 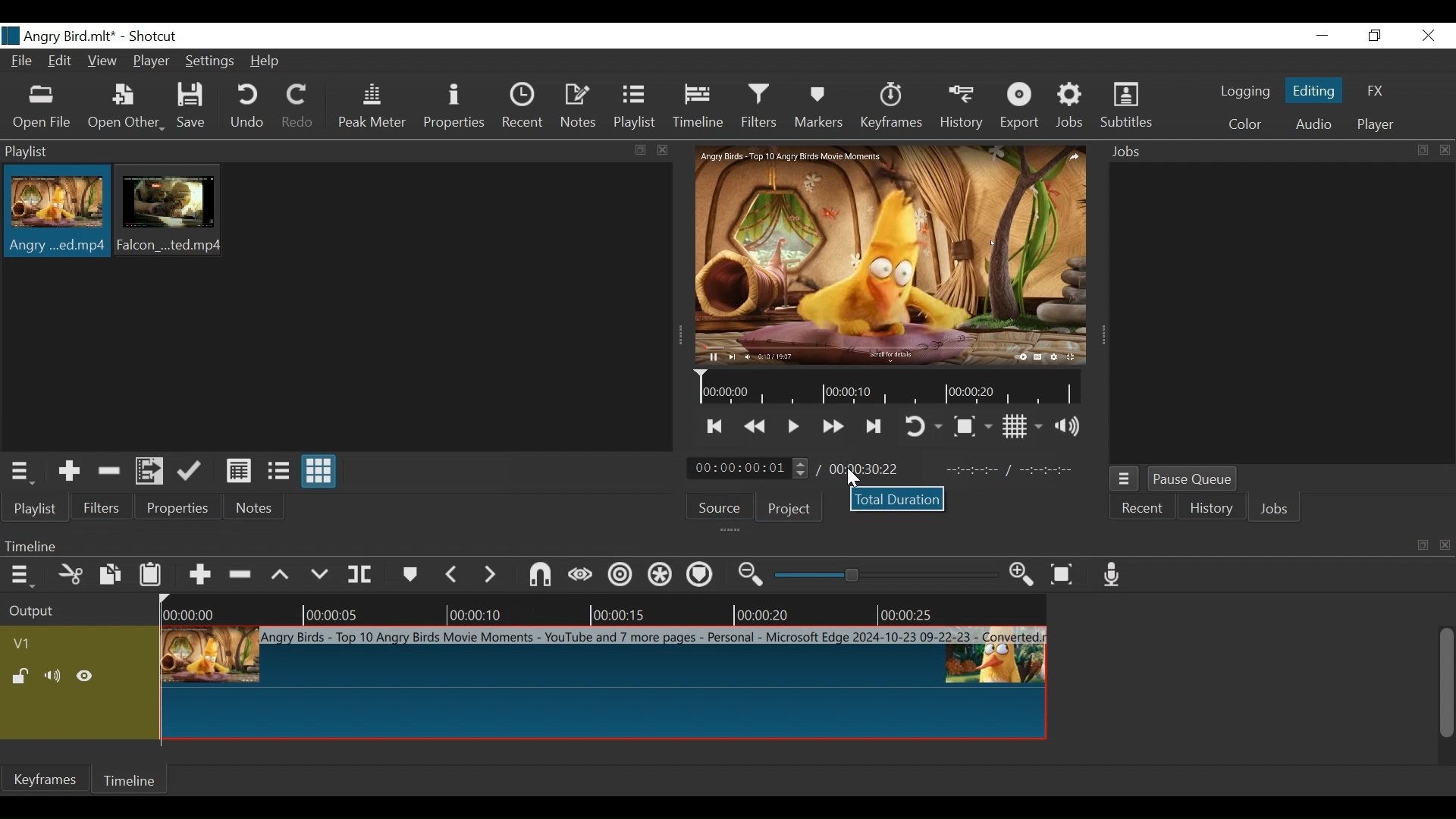 I want to click on Lift, so click(x=280, y=575).